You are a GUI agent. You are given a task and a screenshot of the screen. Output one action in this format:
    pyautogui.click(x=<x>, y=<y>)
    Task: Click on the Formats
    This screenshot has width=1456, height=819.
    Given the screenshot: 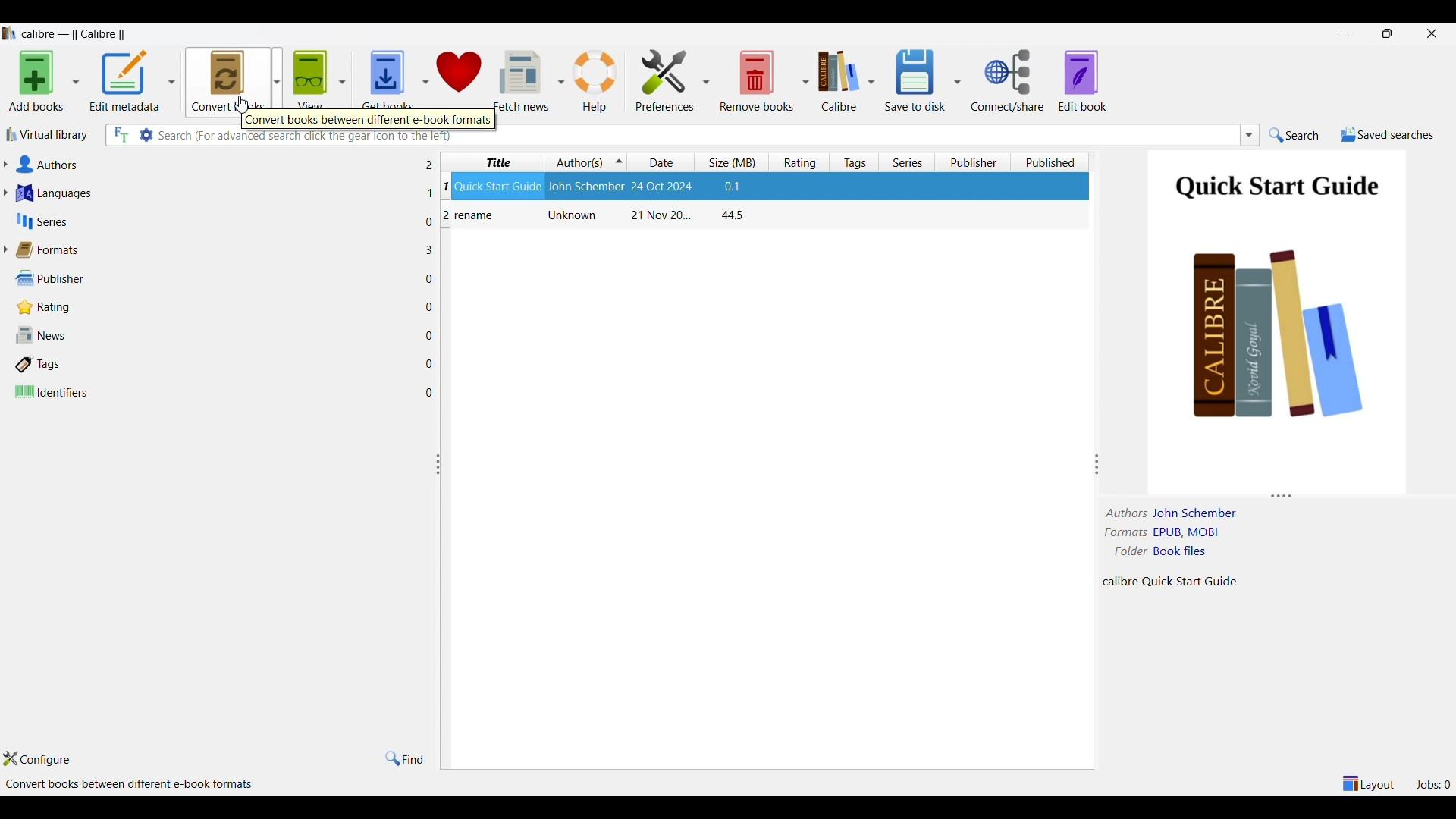 What is the action you would take?
    pyautogui.click(x=214, y=250)
    